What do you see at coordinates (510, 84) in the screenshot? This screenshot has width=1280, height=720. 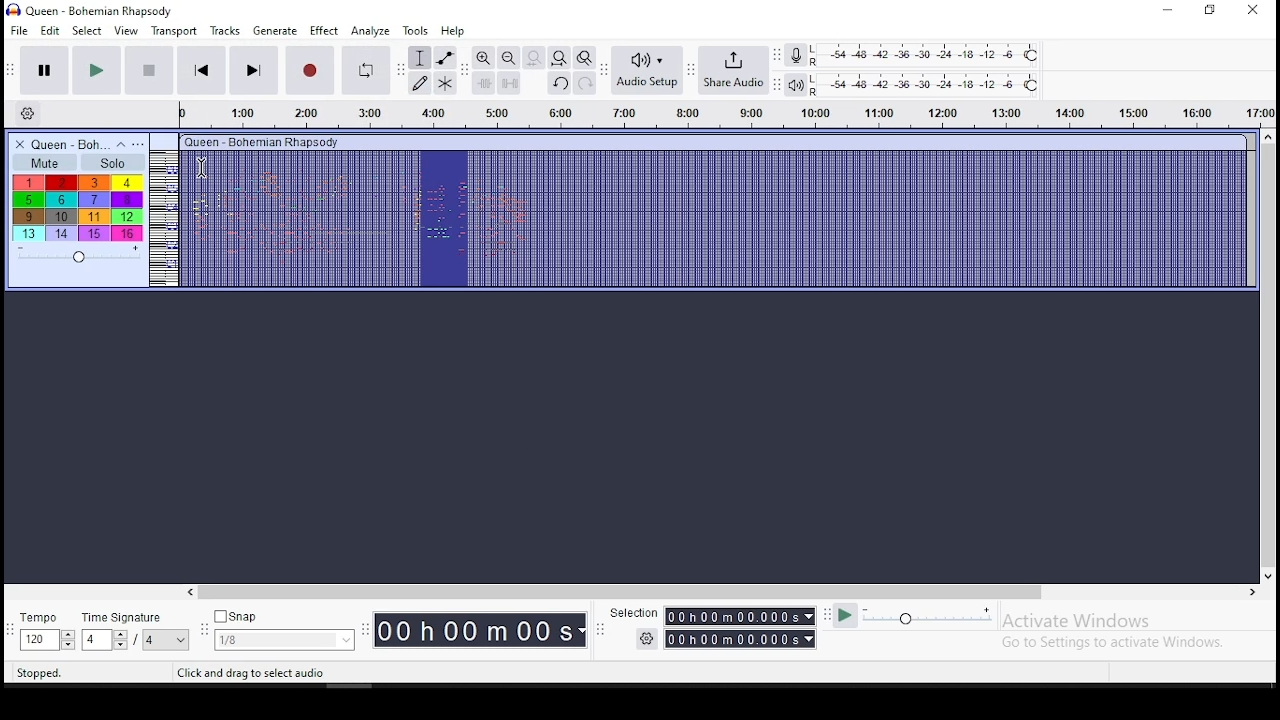 I see `silence selected audio` at bounding box center [510, 84].